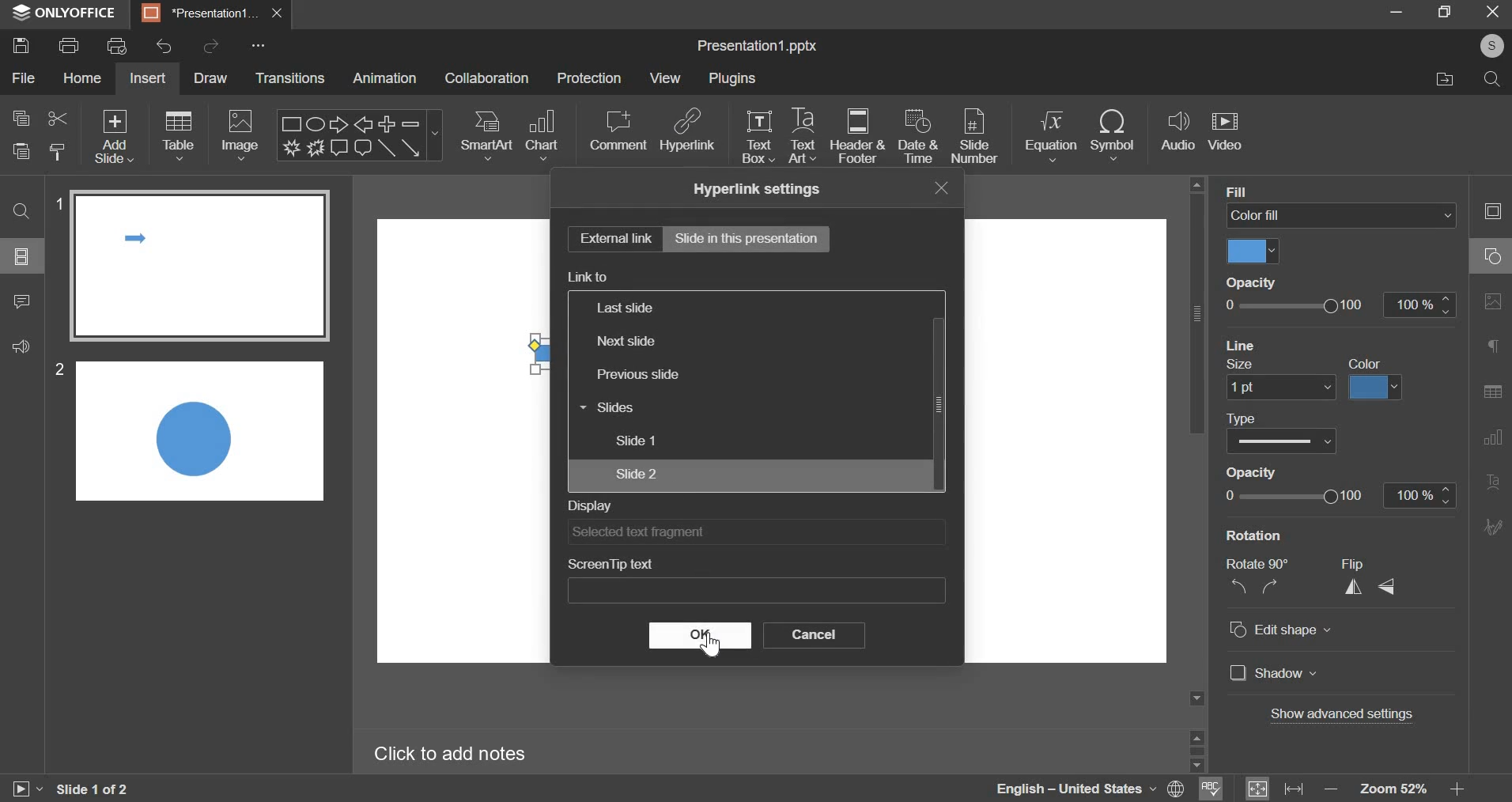  What do you see at coordinates (214, 45) in the screenshot?
I see `redo` at bounding box center [214, 45].